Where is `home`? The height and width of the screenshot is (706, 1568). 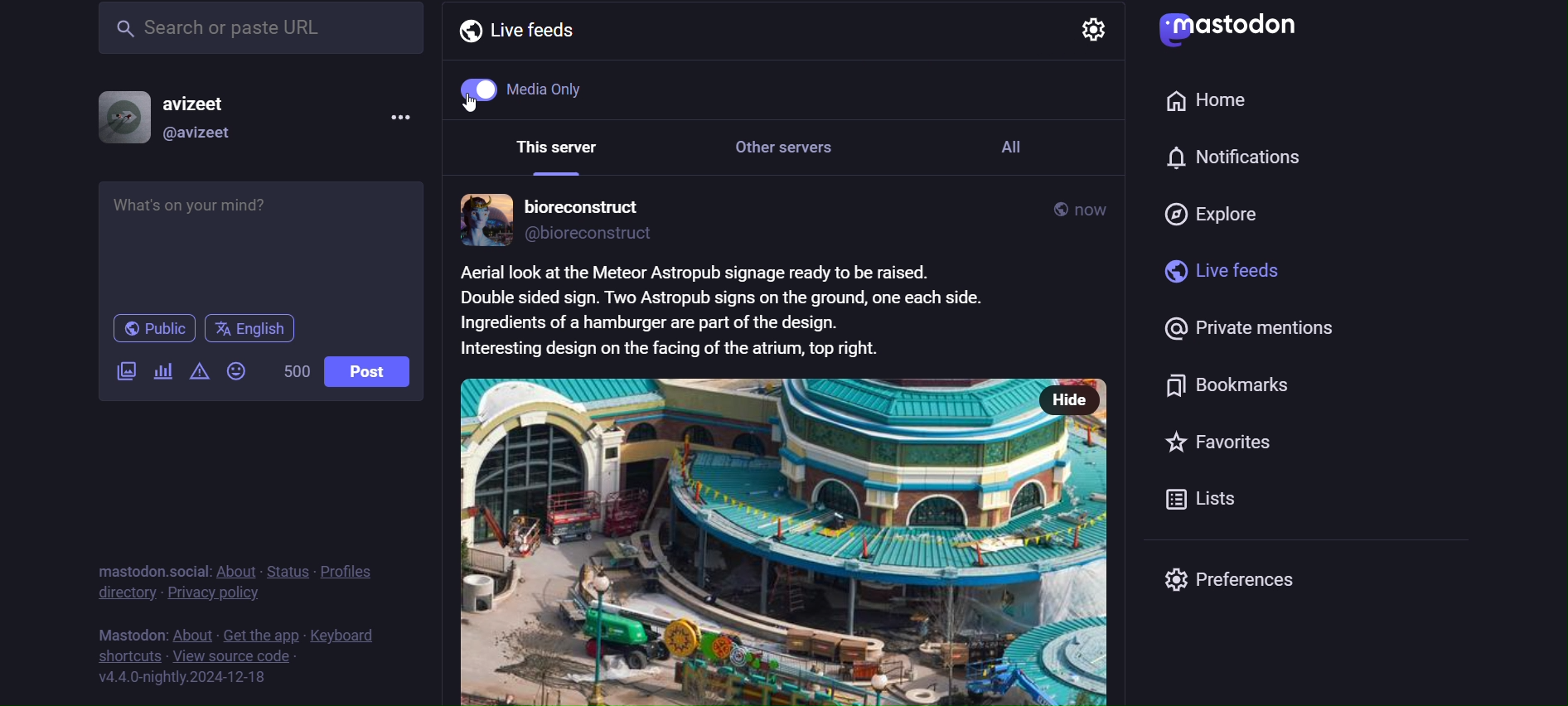
home is located at coordinates (1204, 103).